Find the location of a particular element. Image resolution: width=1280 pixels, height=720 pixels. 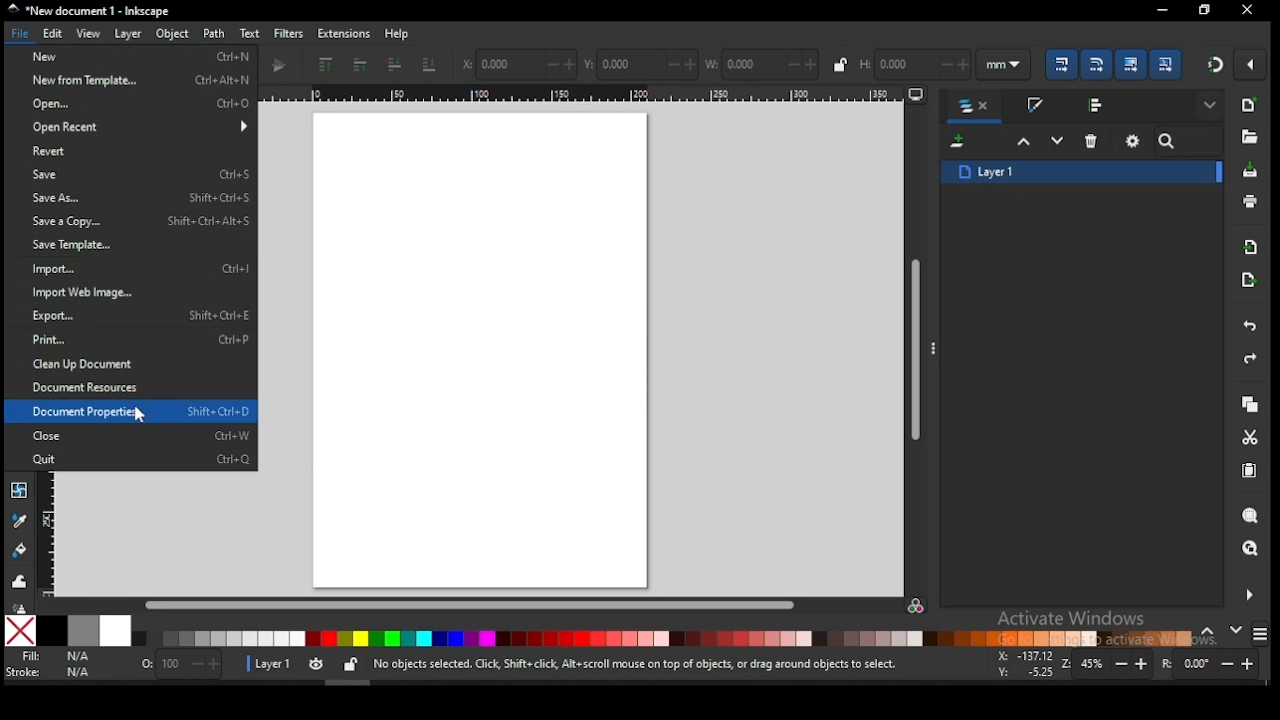

next is located at coordinates (1236, 630).